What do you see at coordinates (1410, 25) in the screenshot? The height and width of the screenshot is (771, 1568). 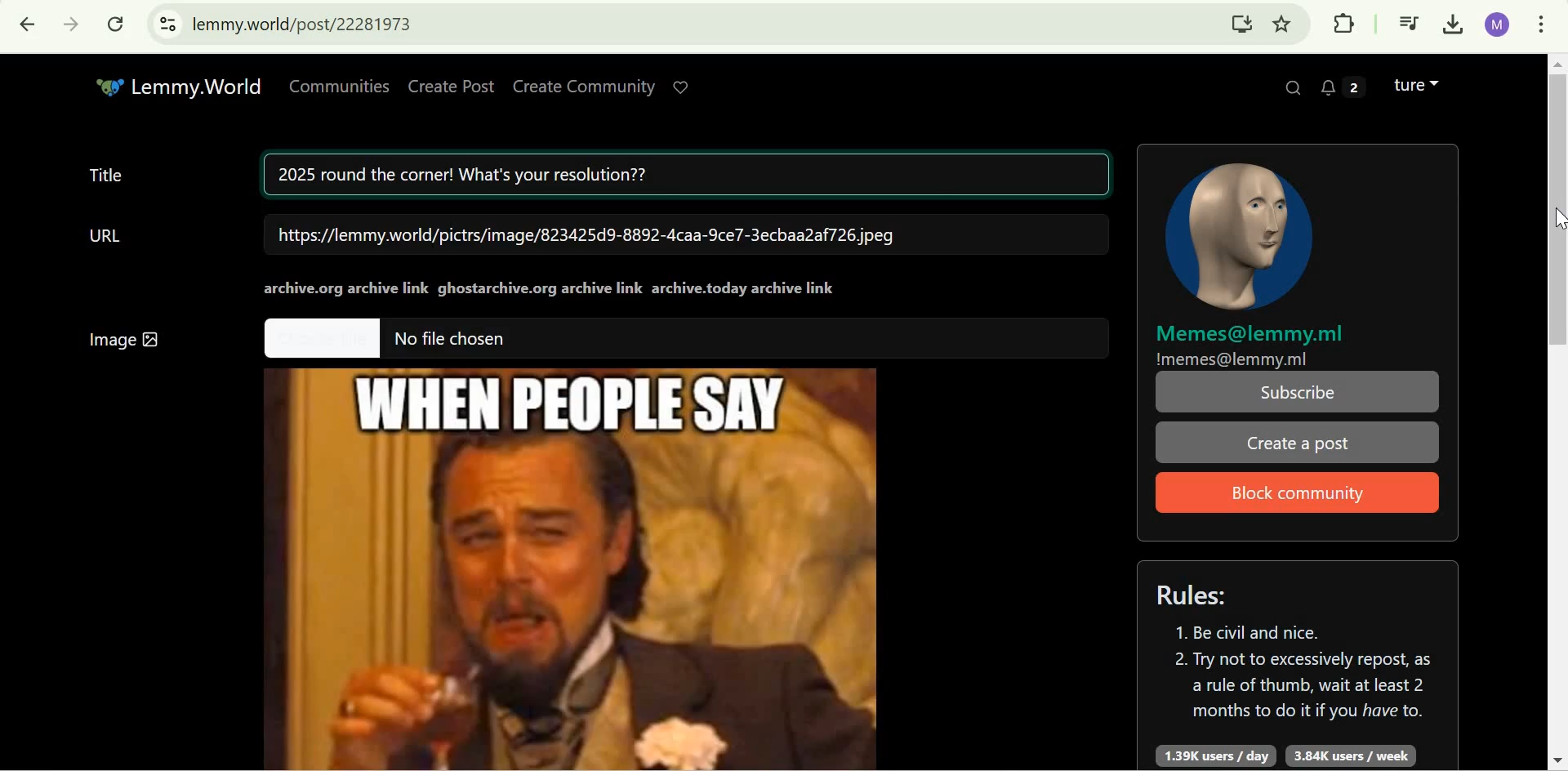 I see `Control your music, videos, and more` at bounding box center [1410, 25].